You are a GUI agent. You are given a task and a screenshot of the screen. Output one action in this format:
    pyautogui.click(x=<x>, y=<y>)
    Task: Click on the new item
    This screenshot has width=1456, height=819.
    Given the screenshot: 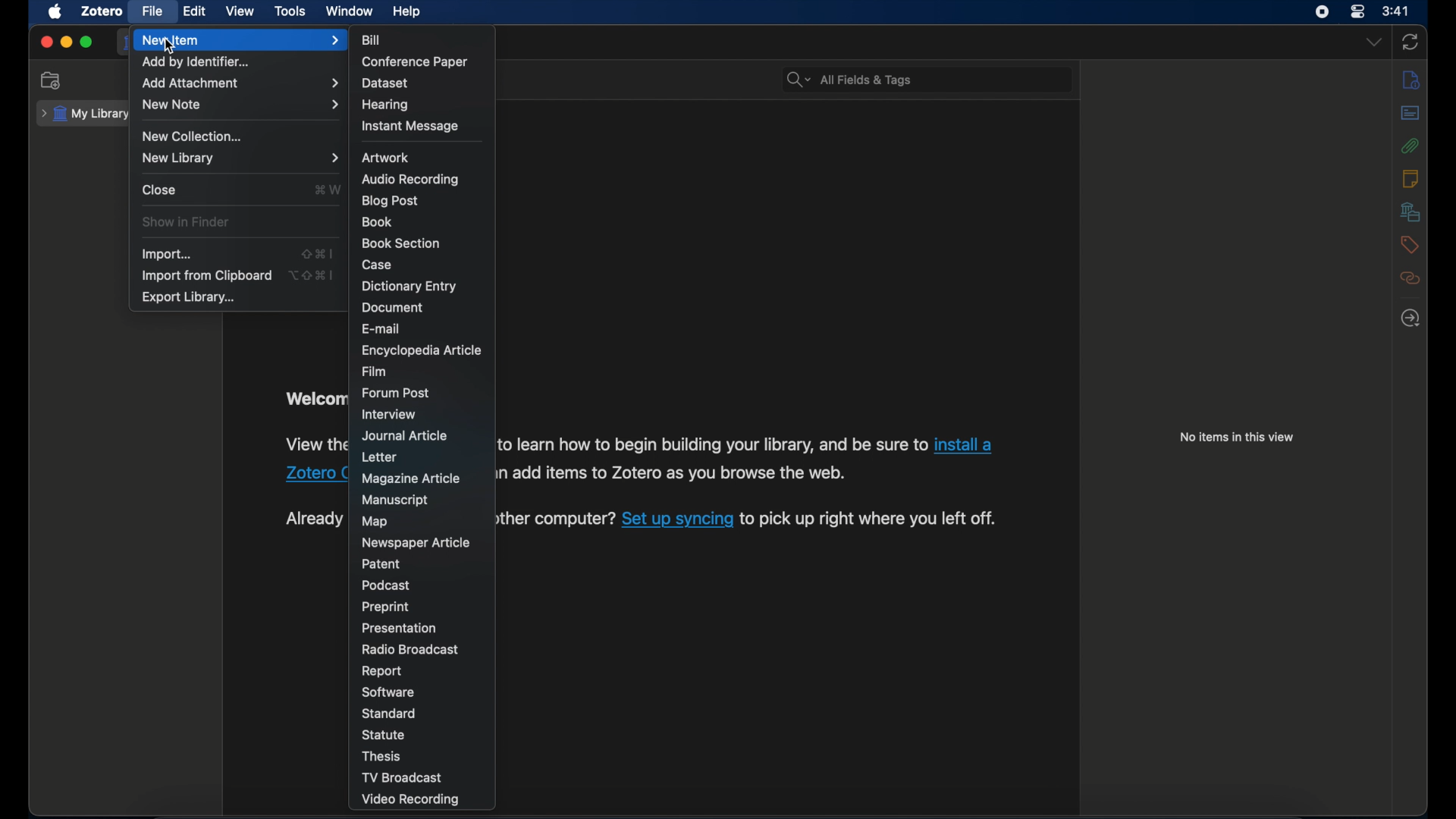 What is the action you would take?
    pyautogui.click(x=240, y=40)
    